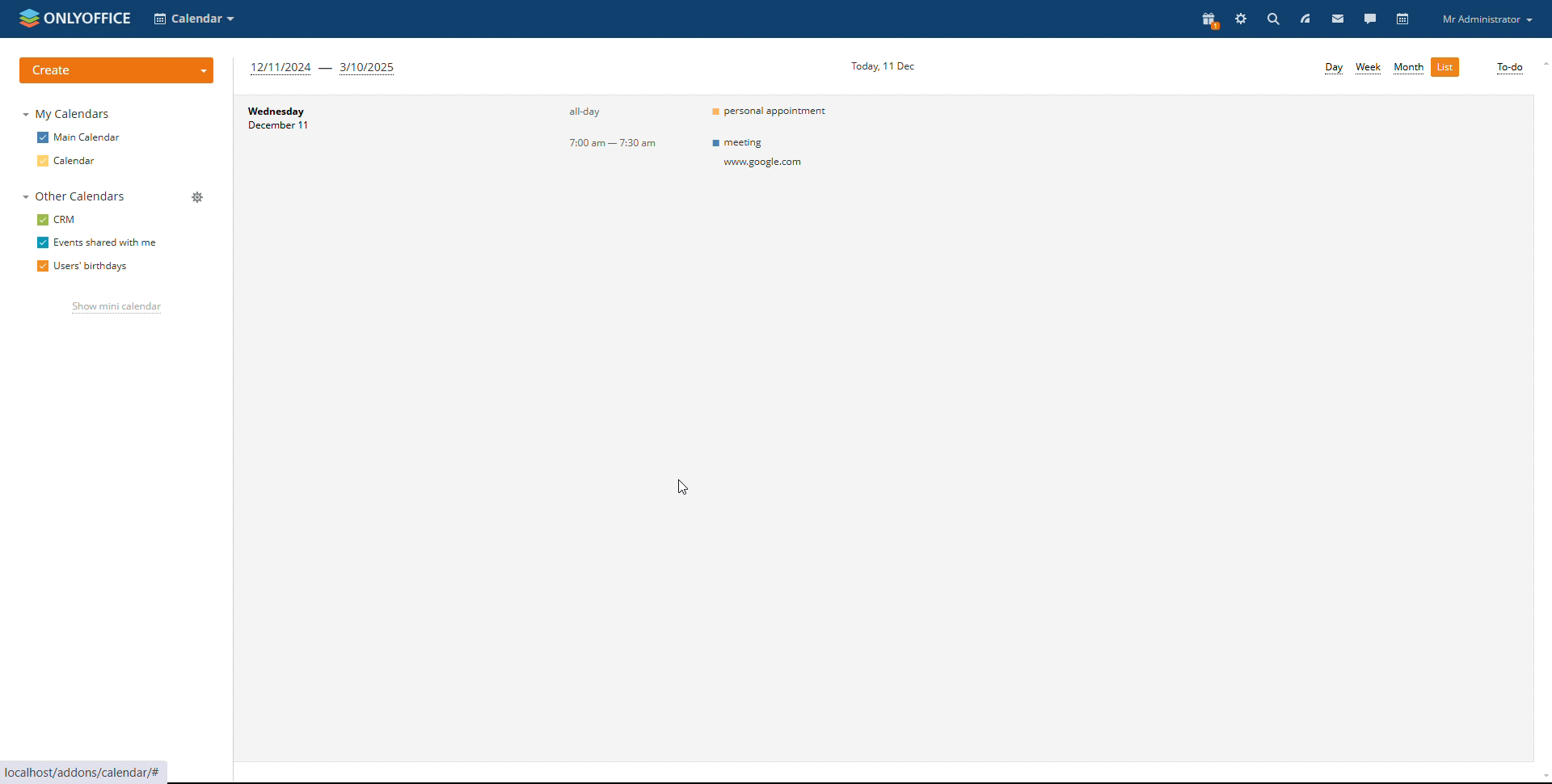 The image size is (1552, 784). I want to click on calendar, so click(71, 160).